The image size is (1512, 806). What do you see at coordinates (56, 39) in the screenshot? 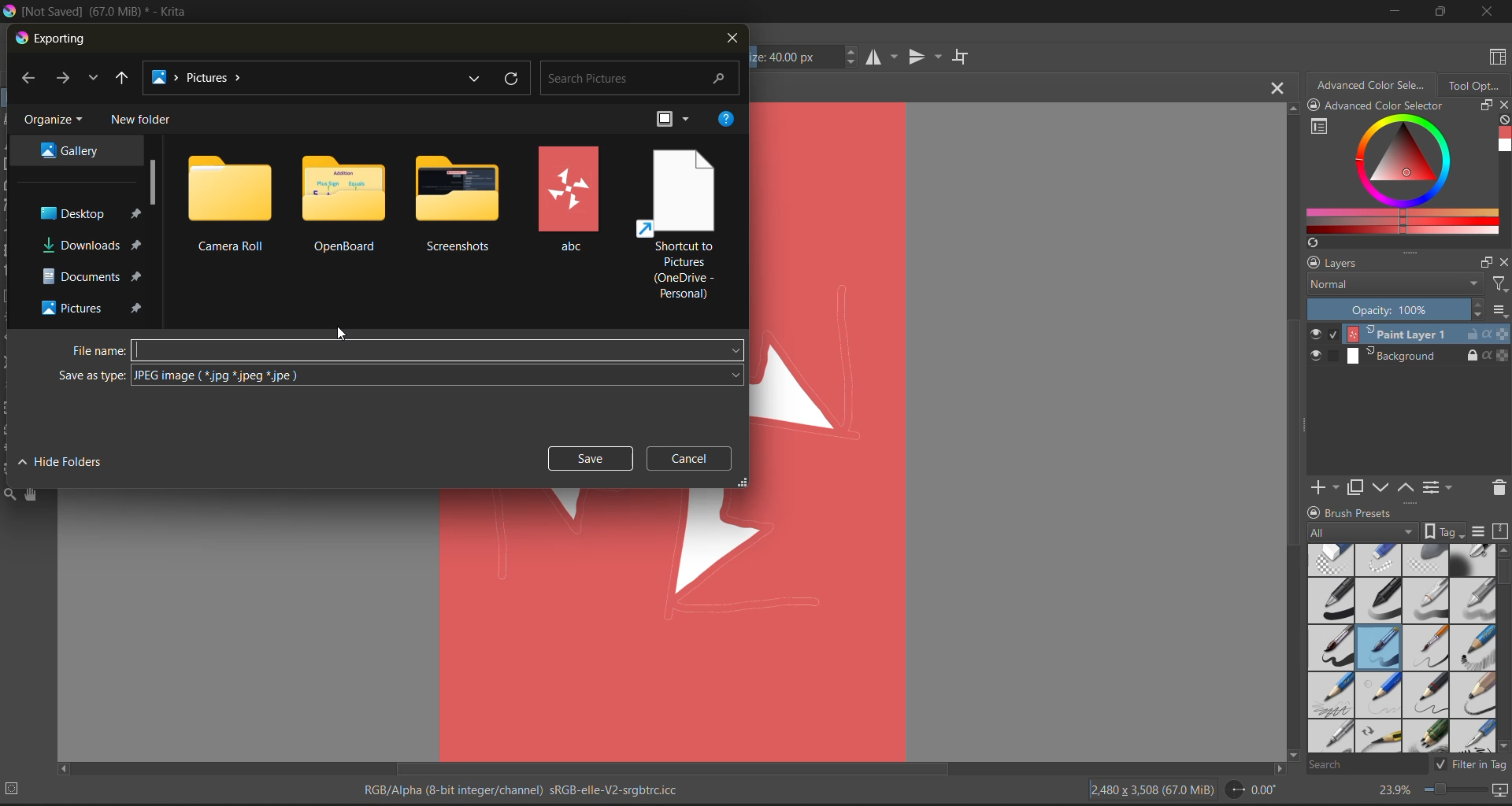
I see `exporting` at bounding box center [56, 39].